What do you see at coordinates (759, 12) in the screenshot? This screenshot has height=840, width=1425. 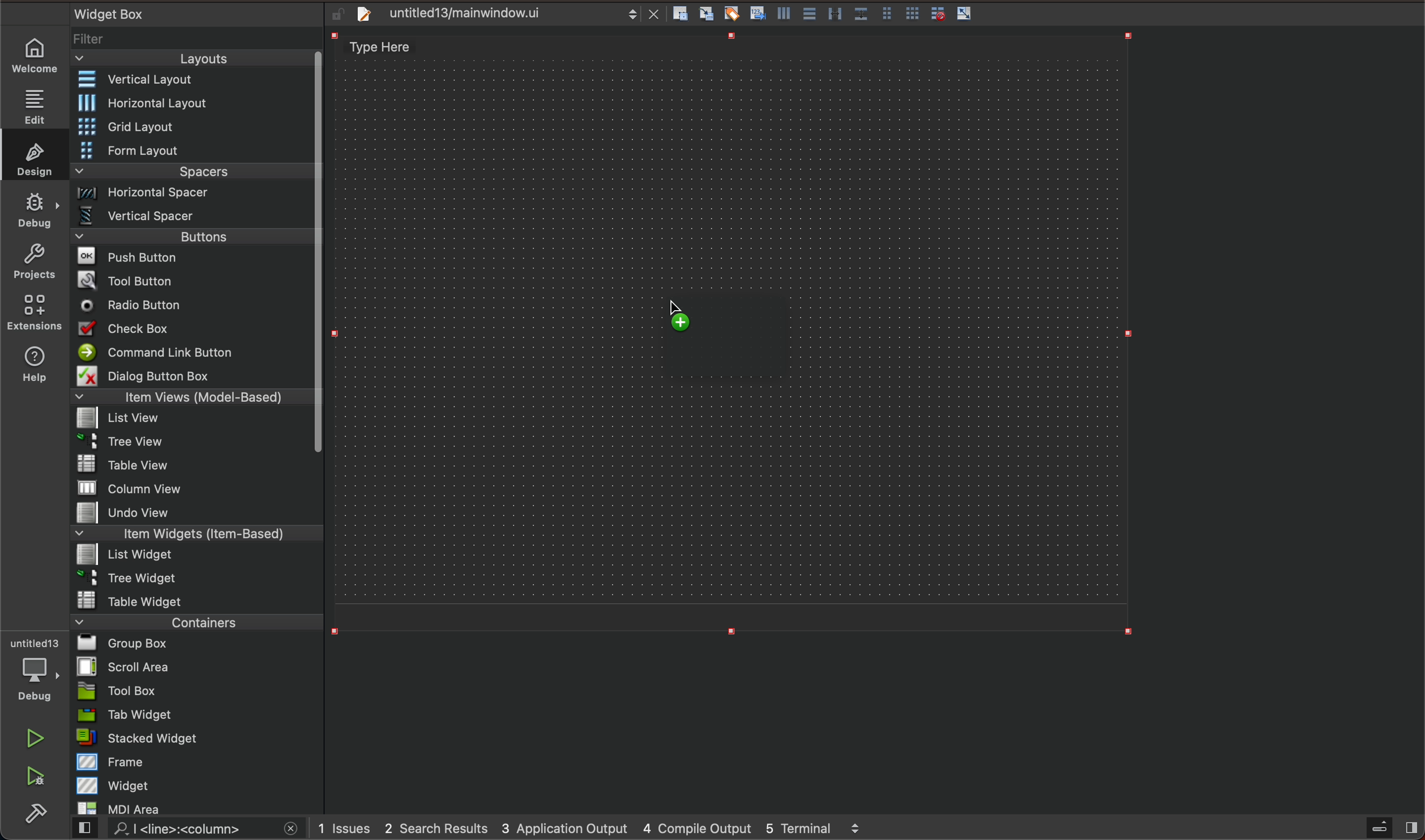 I see `tab order` at bounding box center [759, 12].